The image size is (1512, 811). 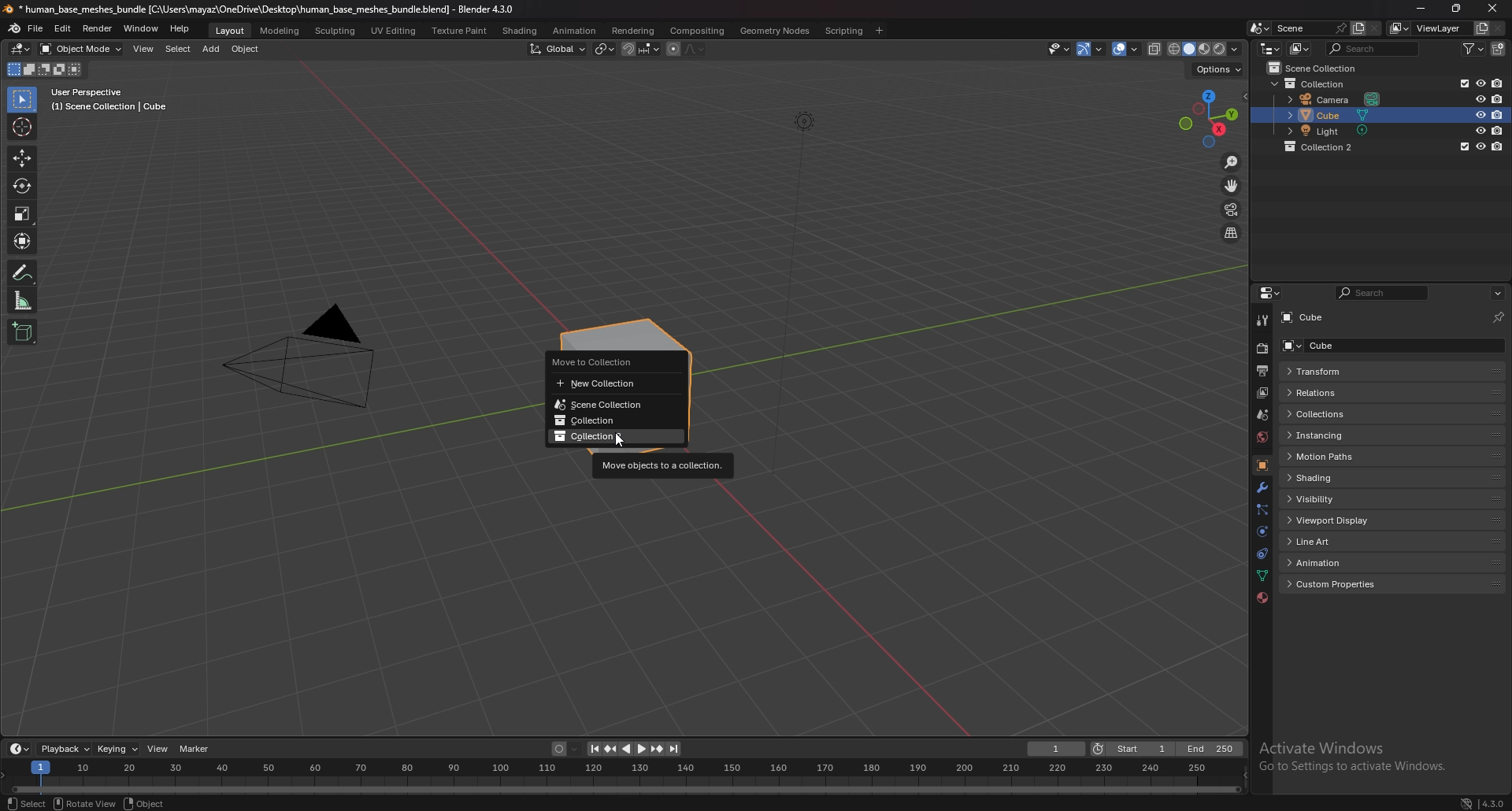 What do you see at coordinates (804, 121) in the screenshot?
I see `lighting` at bounding box center [804, 121].